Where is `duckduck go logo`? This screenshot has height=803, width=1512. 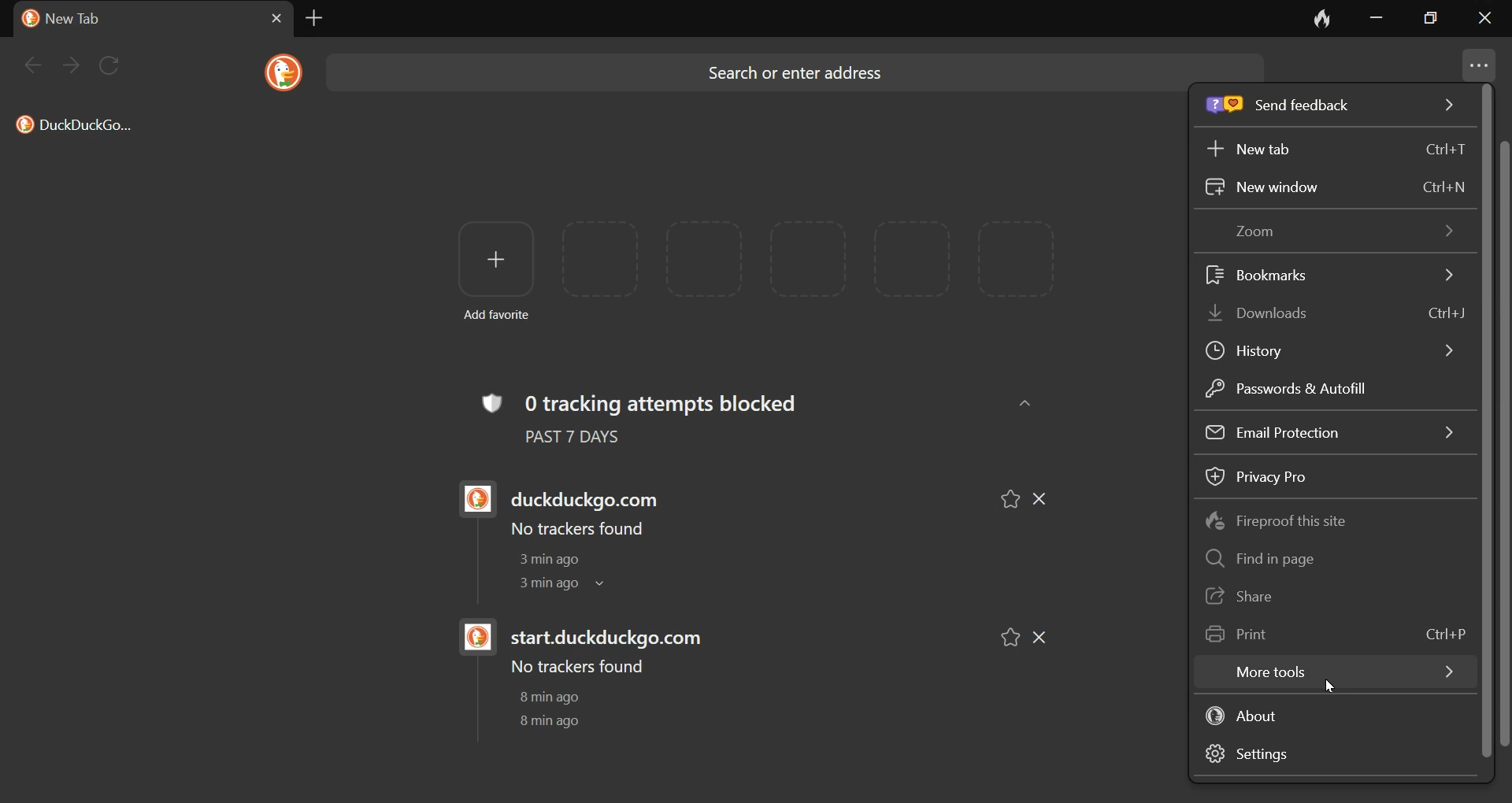 duckduck go logo is located at coordinates (473, 638).